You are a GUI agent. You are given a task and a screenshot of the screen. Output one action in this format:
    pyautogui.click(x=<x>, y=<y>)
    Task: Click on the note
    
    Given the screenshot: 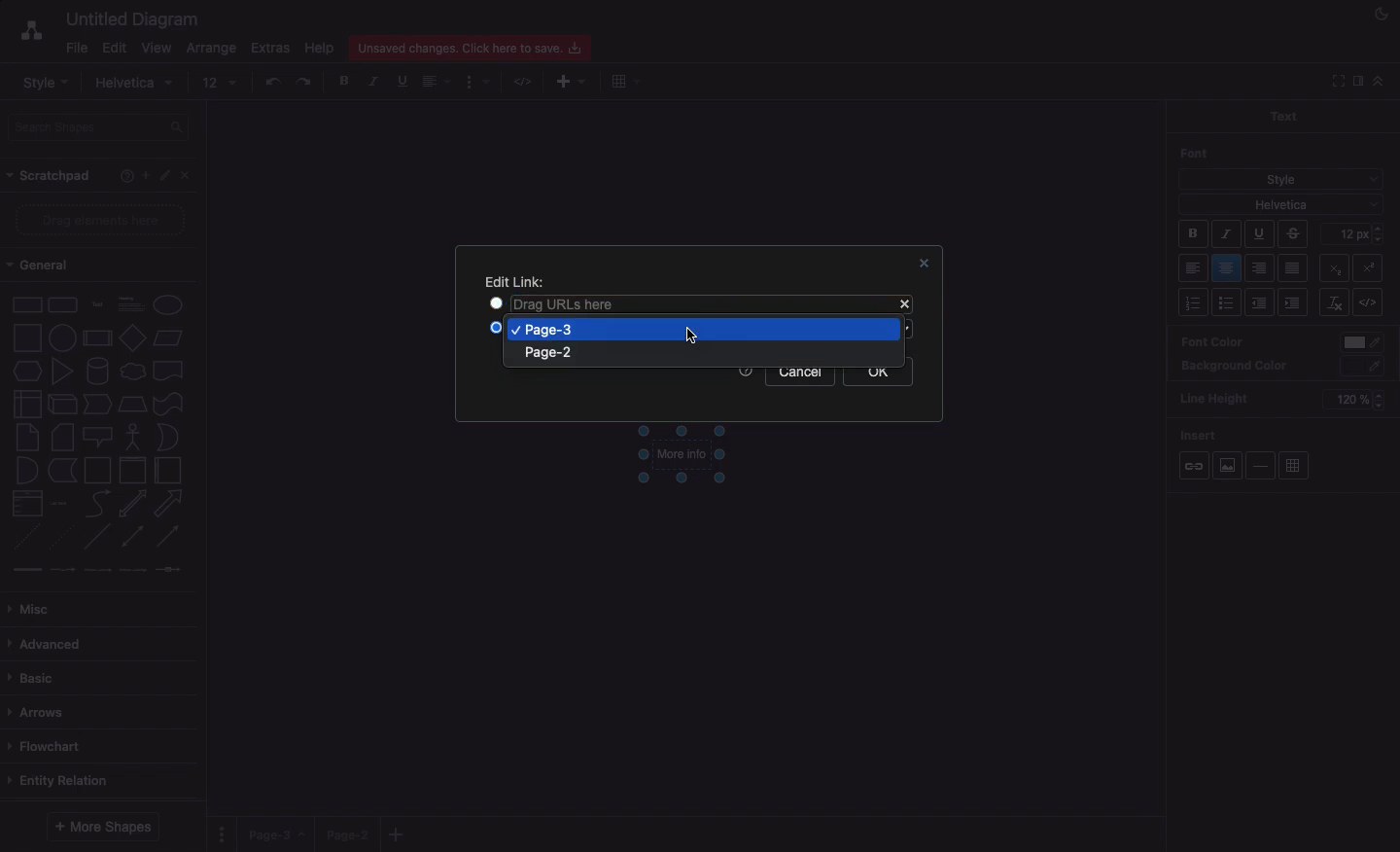 What is the action you would take?
    pyautogui.click(x=27, y=438)
    